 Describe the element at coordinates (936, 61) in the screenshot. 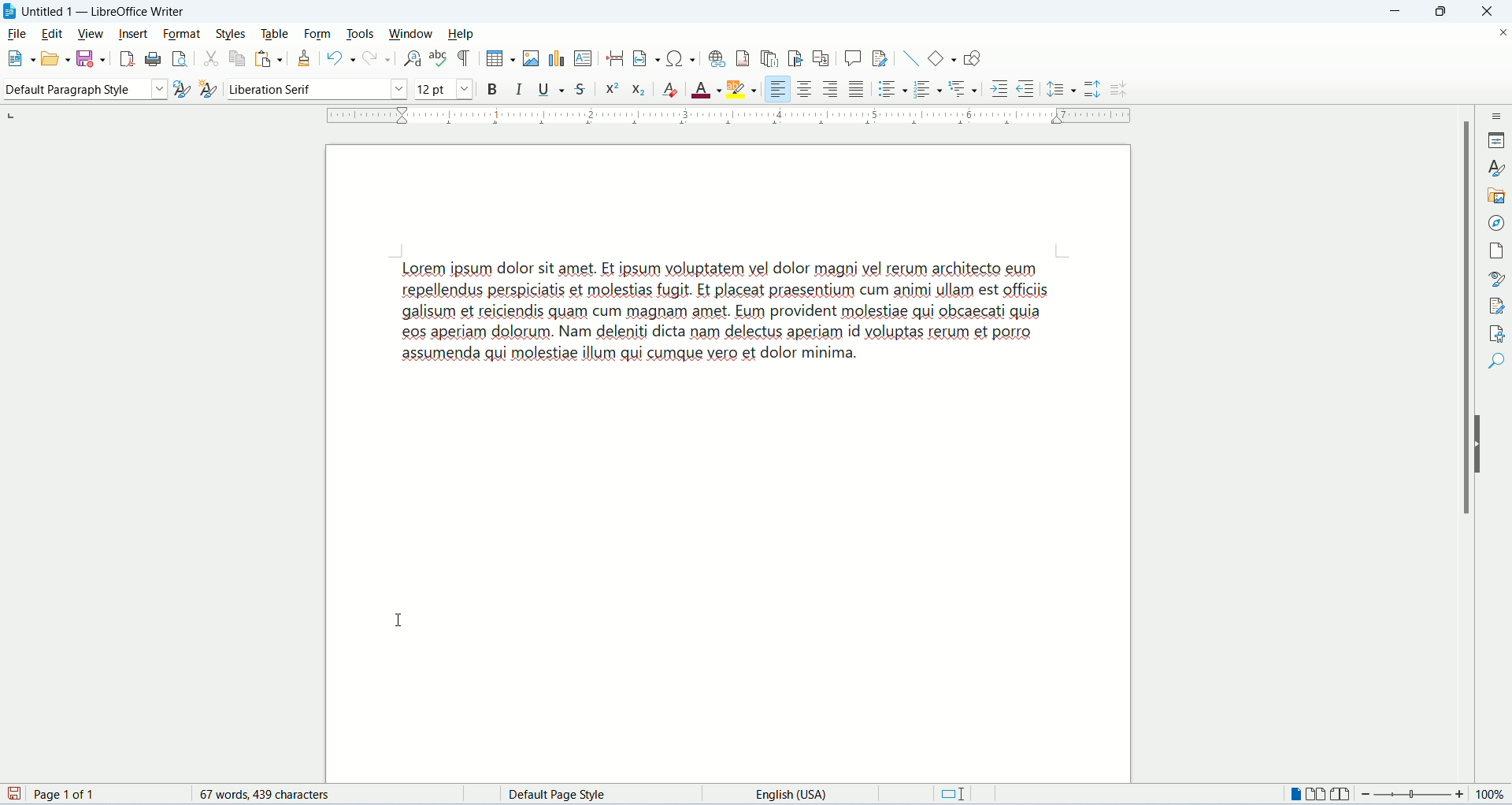

I see `basic function` at that location.